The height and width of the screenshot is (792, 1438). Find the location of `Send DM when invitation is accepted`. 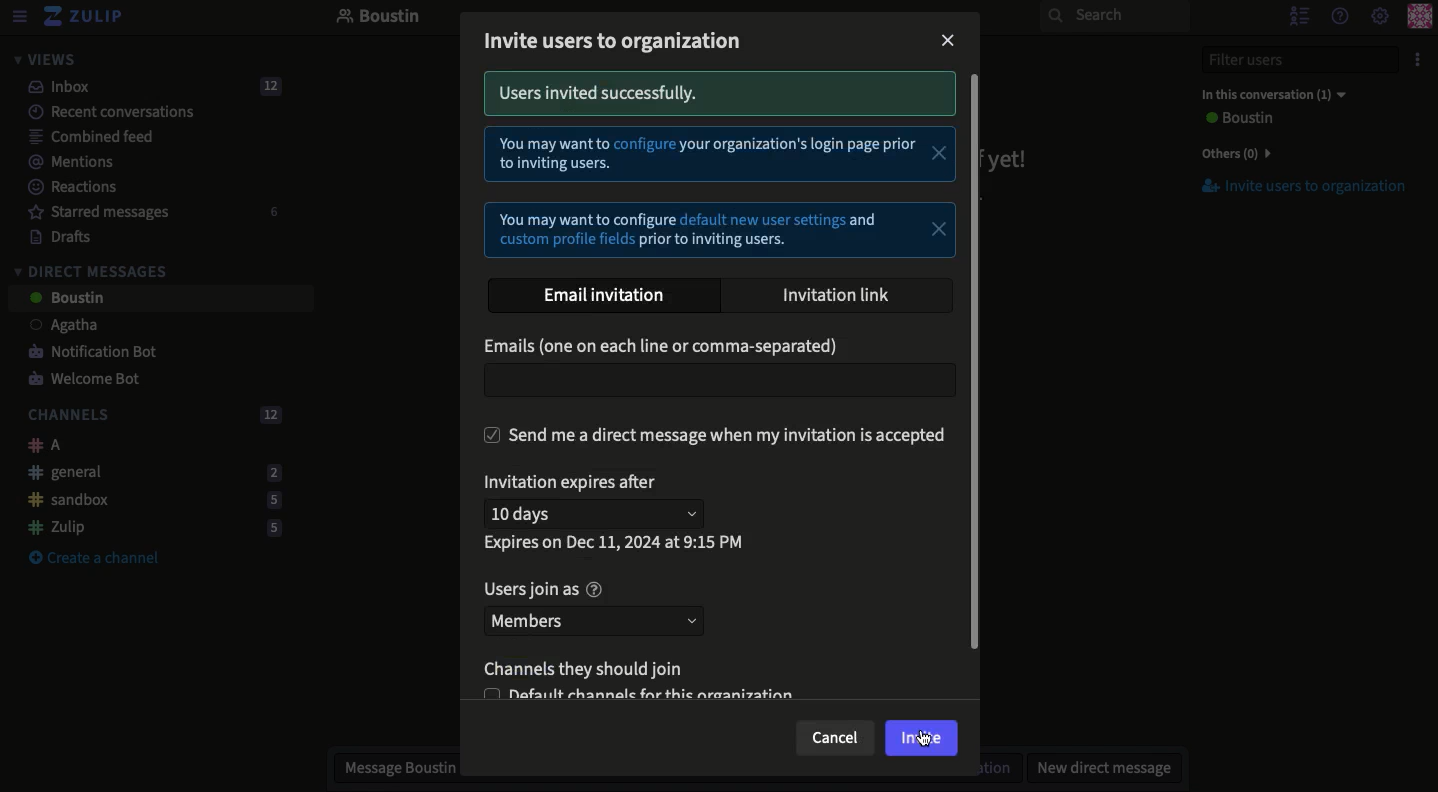

Send DM when invitation is accepted is located at coordinates (720, 435).